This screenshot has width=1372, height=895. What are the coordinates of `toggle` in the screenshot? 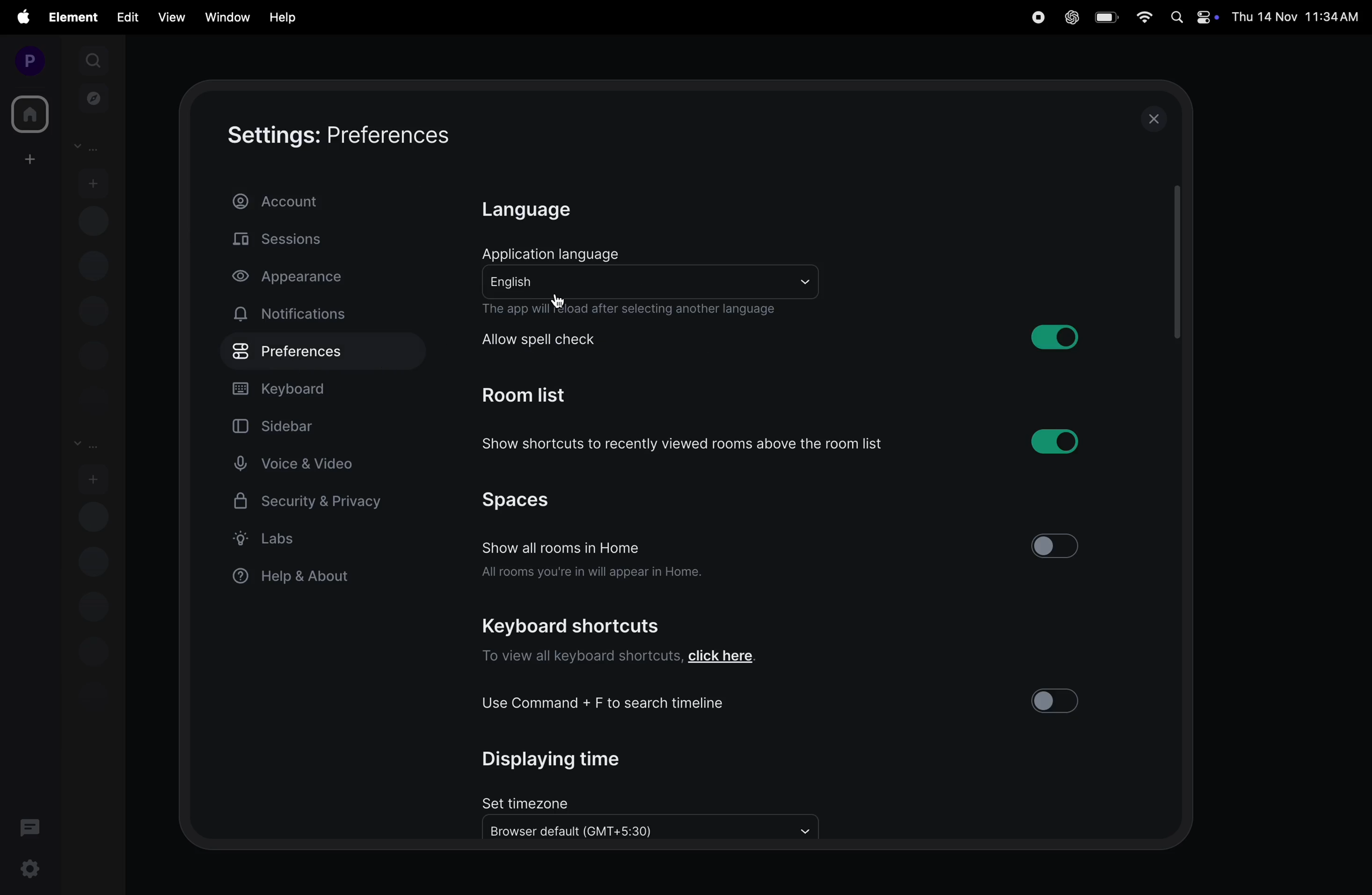 It's located at (1055, 442).